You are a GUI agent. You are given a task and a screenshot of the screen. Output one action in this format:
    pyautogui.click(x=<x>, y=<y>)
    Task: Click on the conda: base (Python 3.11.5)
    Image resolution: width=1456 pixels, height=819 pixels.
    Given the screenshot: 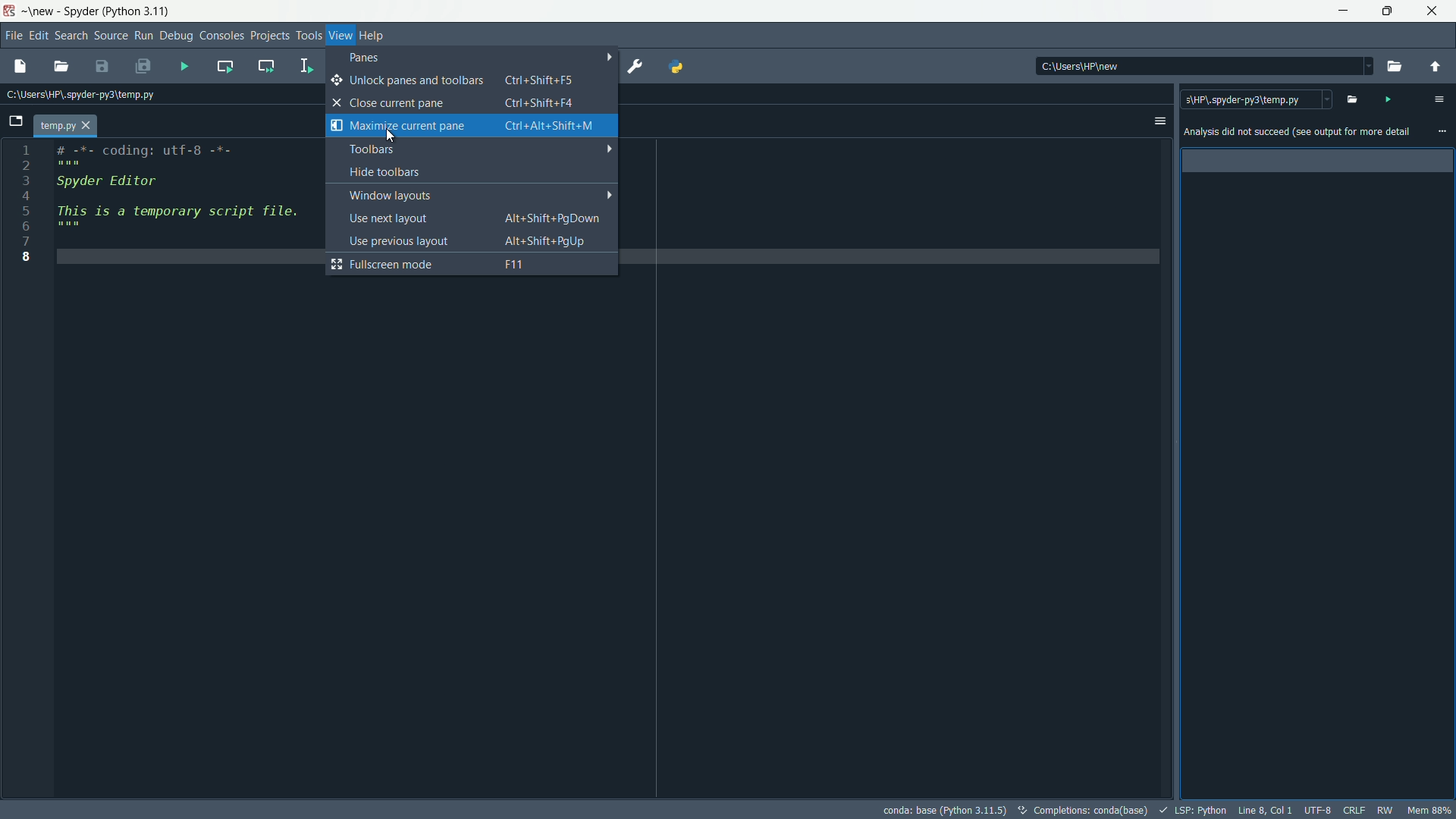 What is the action you would take?
    pyautogui.click(x=943, y=809)
    